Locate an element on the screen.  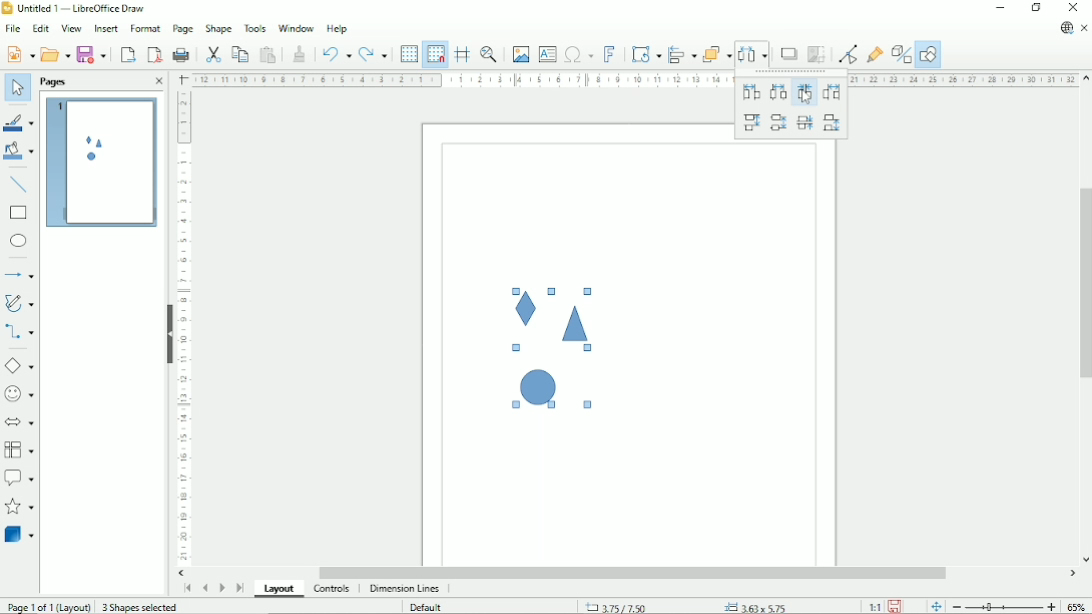
Display grid is located at coordinates (408, 53).